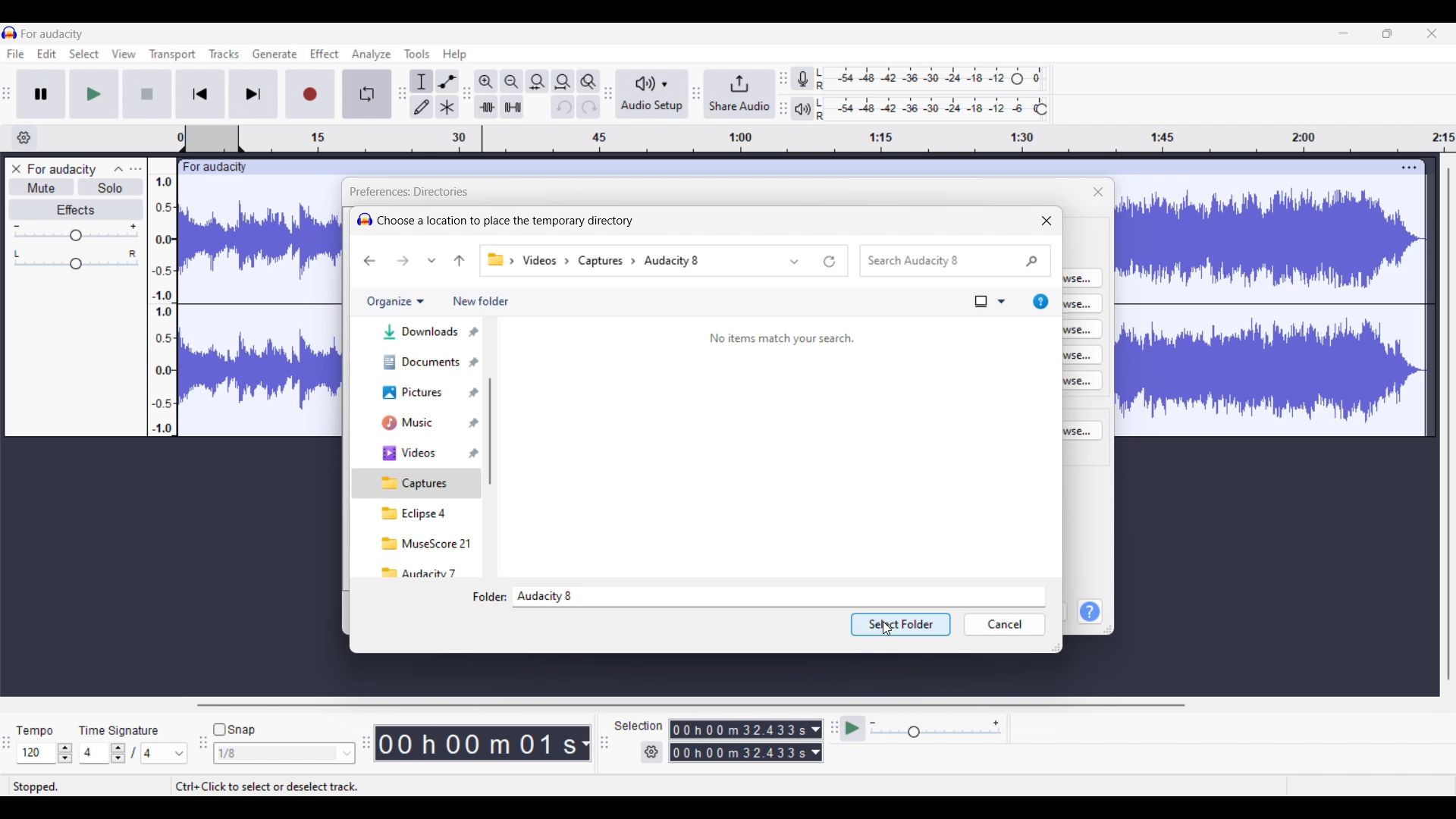 The image size is (1456, 819). I want to click on Record/Record new track, so click(310, 94).